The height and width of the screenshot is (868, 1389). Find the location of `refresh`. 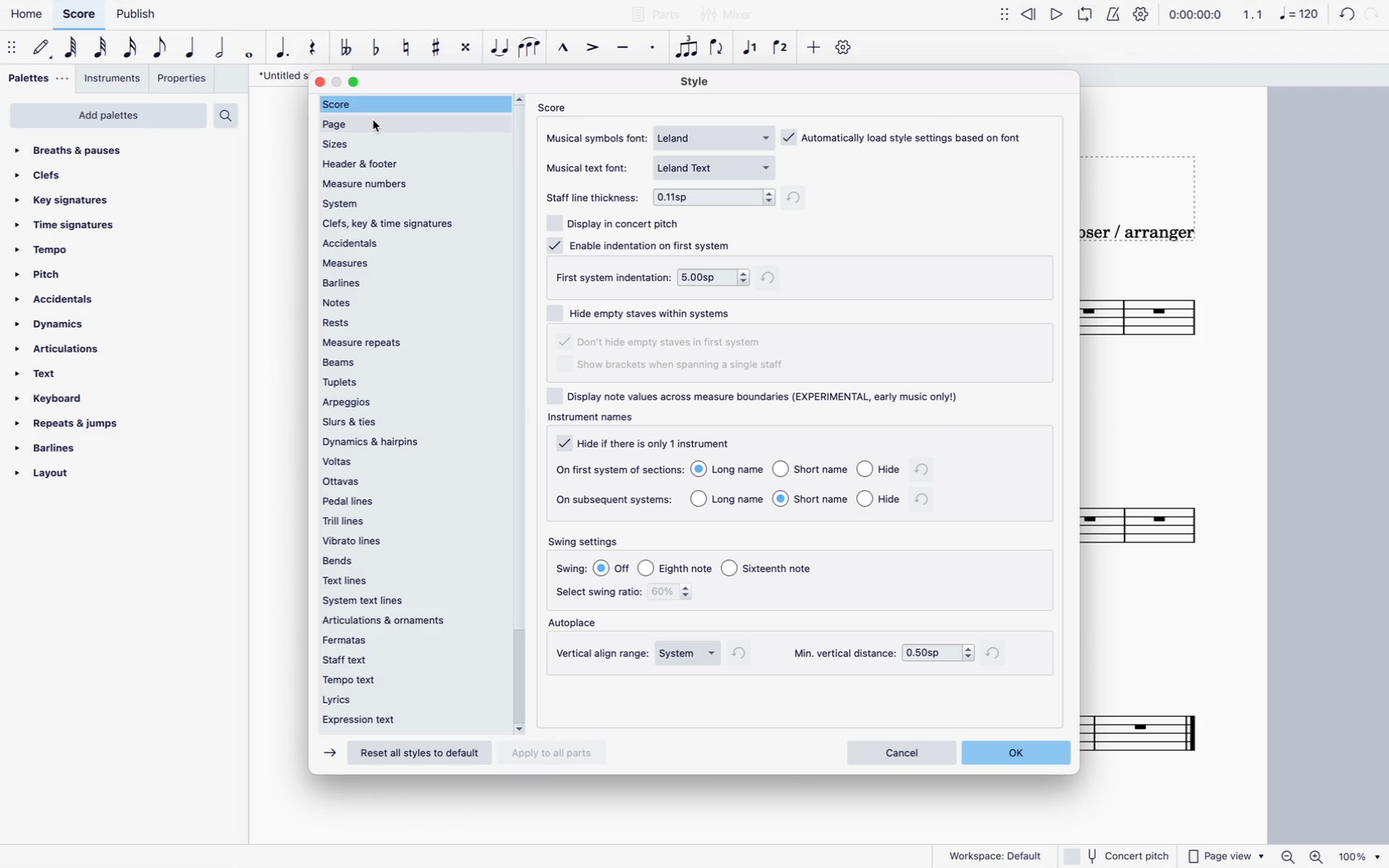

refresh is located at coordinates (926, 470).